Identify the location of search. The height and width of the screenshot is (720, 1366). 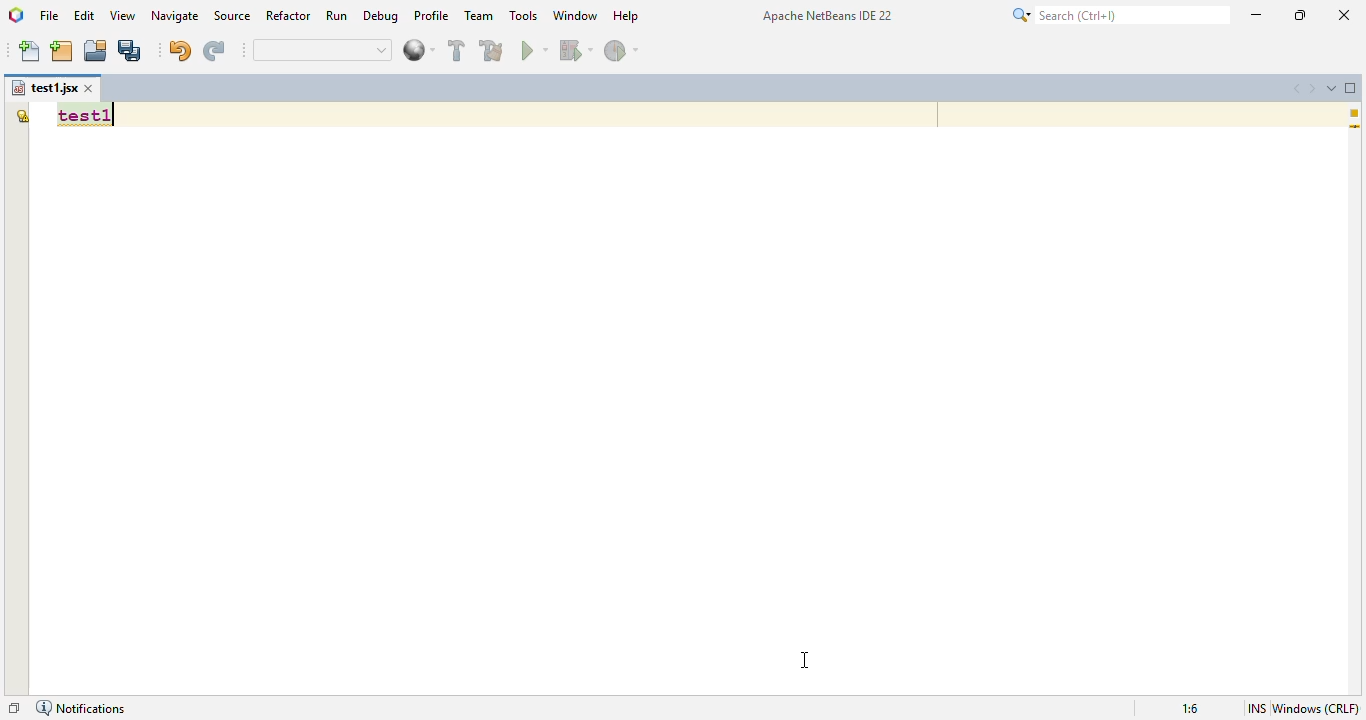
(1117, 15).